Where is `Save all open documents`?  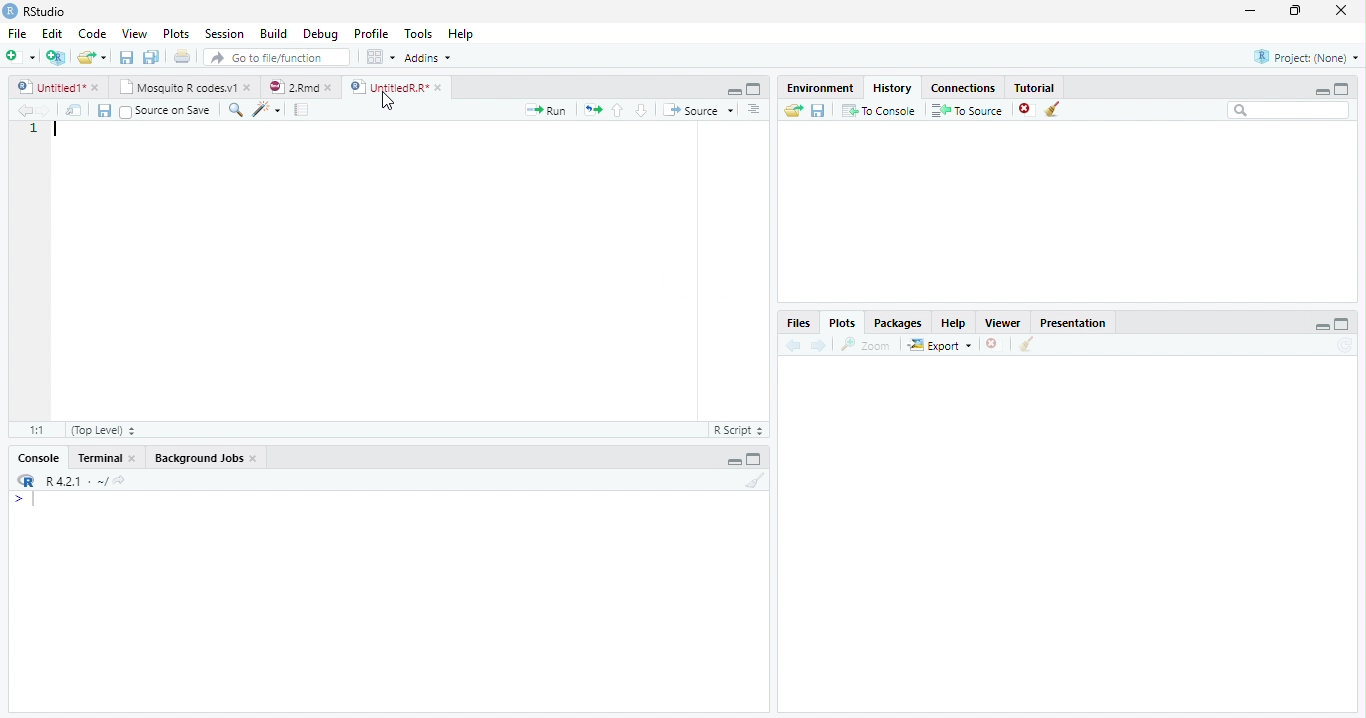 Save all open documents is located at coordinates (152, 57).